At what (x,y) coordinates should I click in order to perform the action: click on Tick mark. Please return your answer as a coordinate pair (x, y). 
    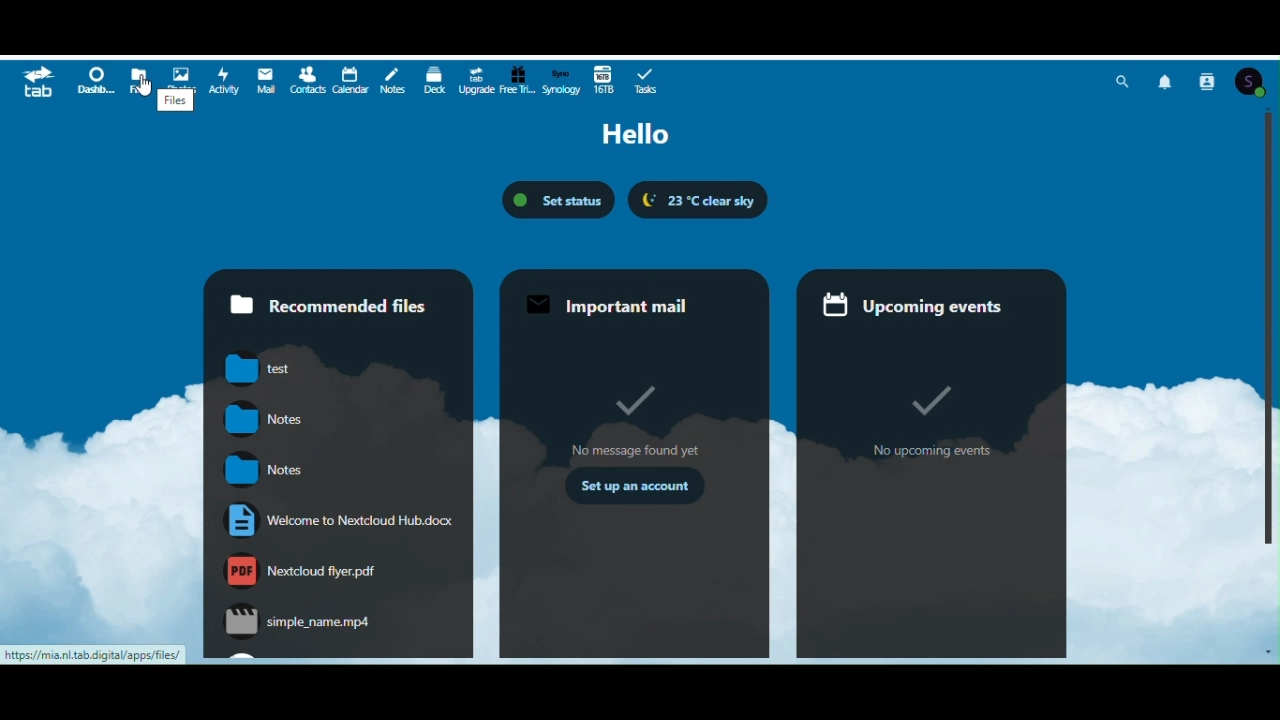
    Looking at the image, I should click on (639, 403).